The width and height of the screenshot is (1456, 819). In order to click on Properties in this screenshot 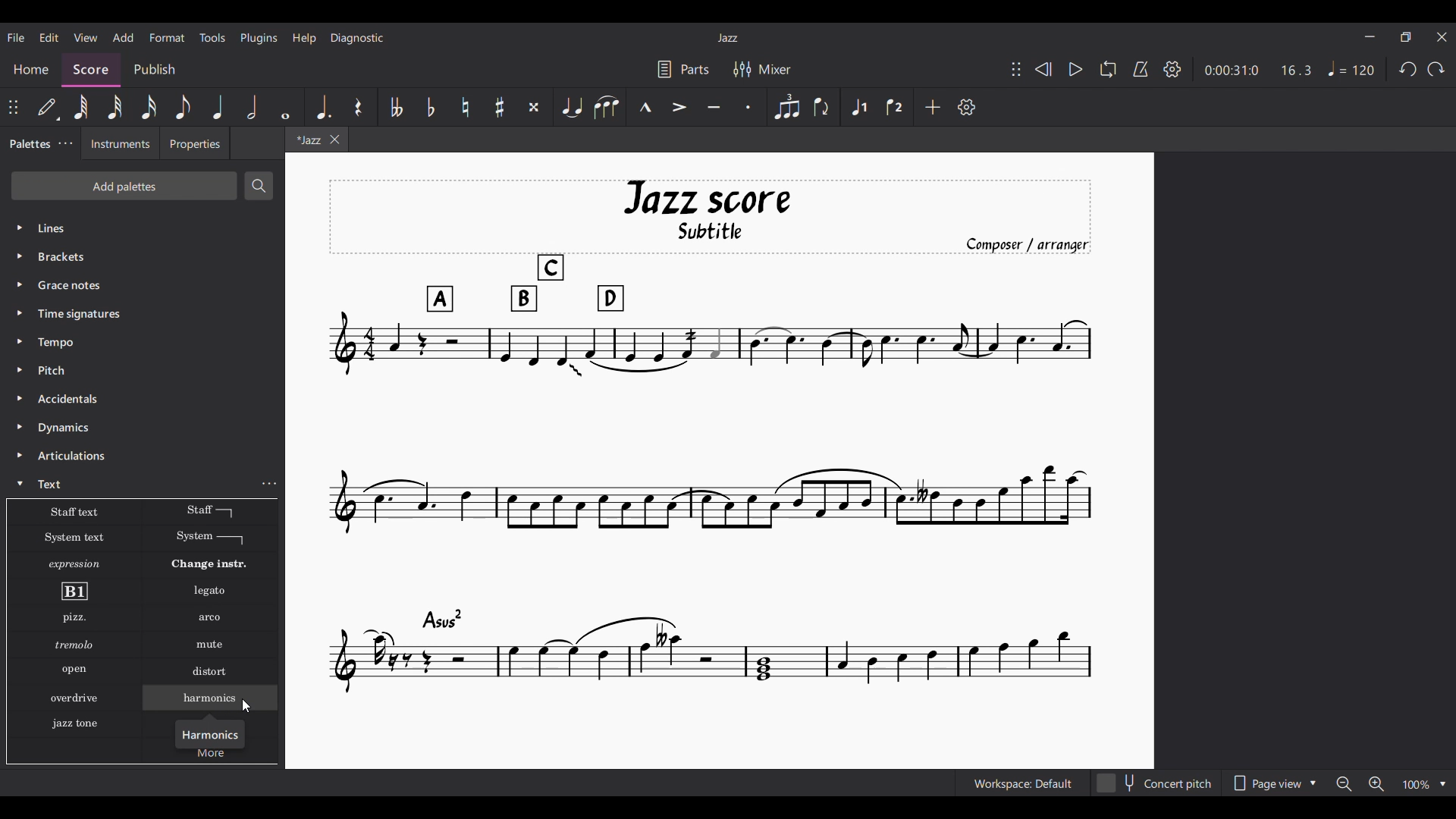, I will do `click(198, 148)`.